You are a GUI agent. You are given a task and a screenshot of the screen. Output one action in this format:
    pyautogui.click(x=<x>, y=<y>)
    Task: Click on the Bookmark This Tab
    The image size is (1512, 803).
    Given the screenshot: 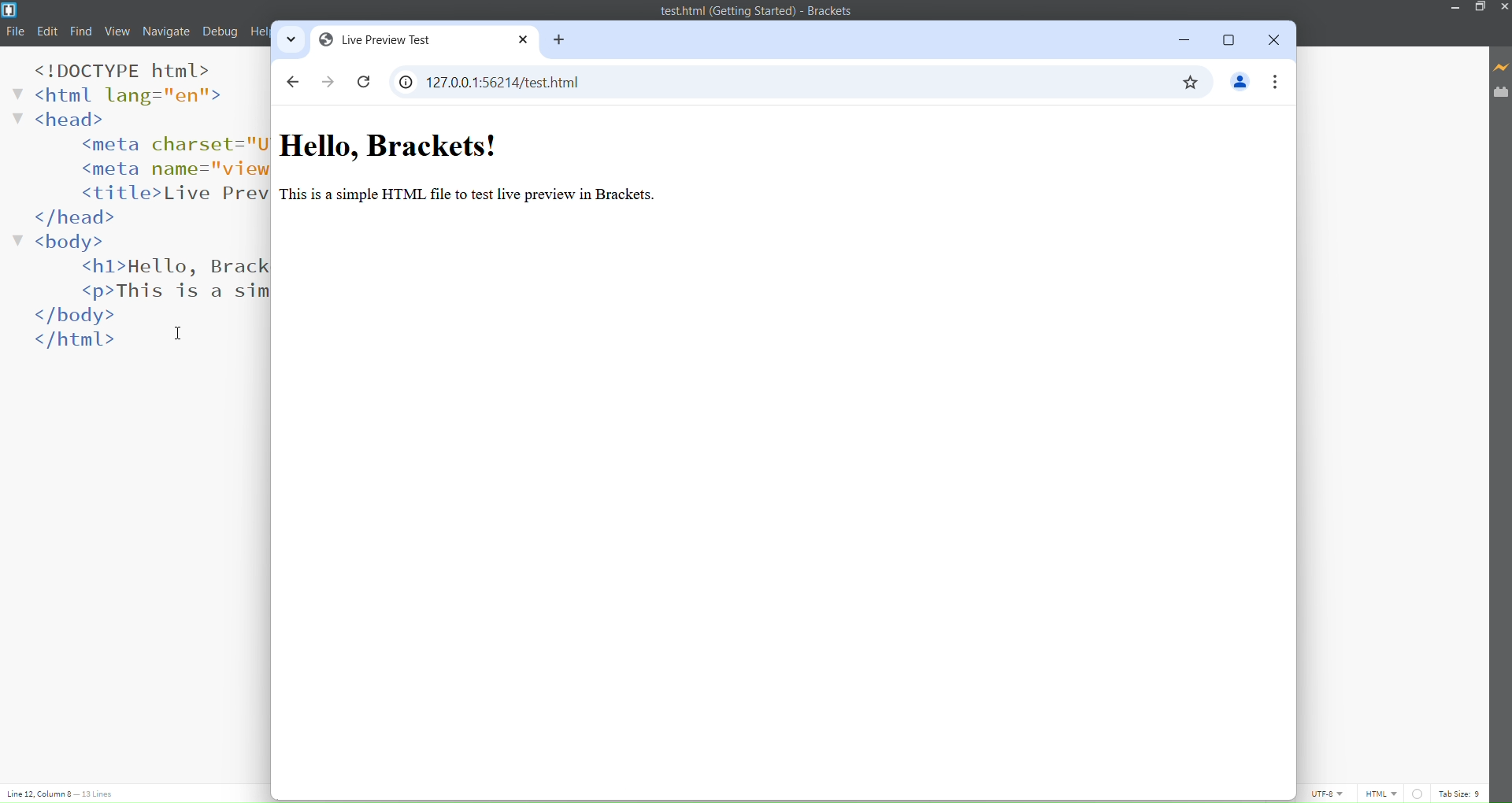 What is the action you would take?
    pyautogui.click(x=1191, y=83)
    